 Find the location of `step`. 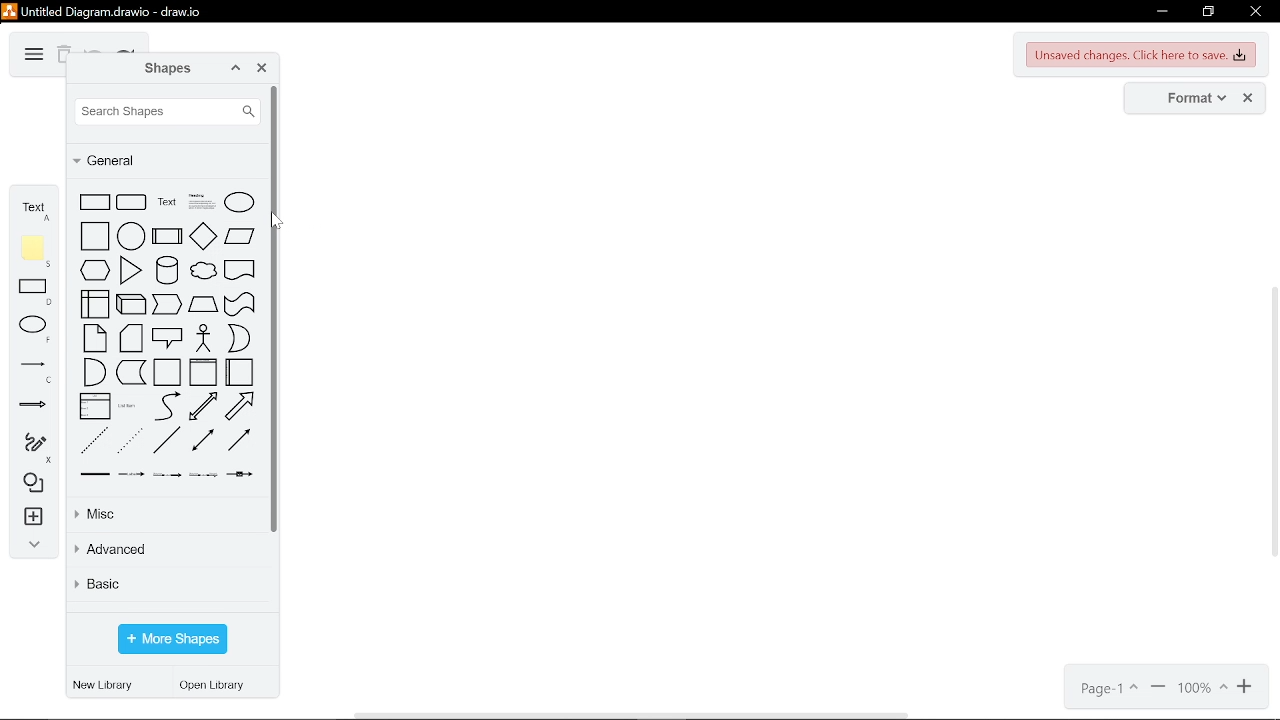

step is located at coordinates (167, 304).